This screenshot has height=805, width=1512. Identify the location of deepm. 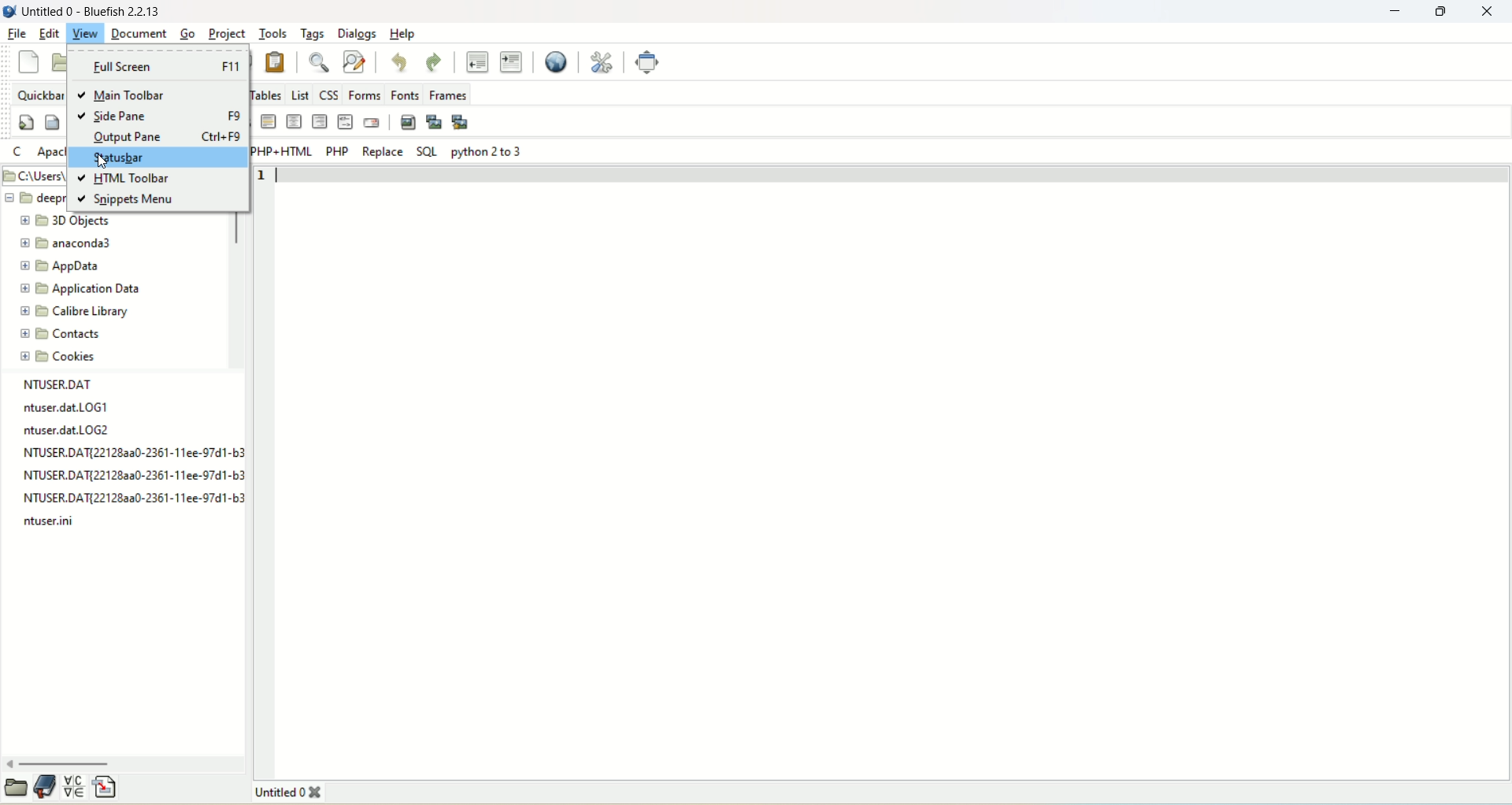
(35, 199).